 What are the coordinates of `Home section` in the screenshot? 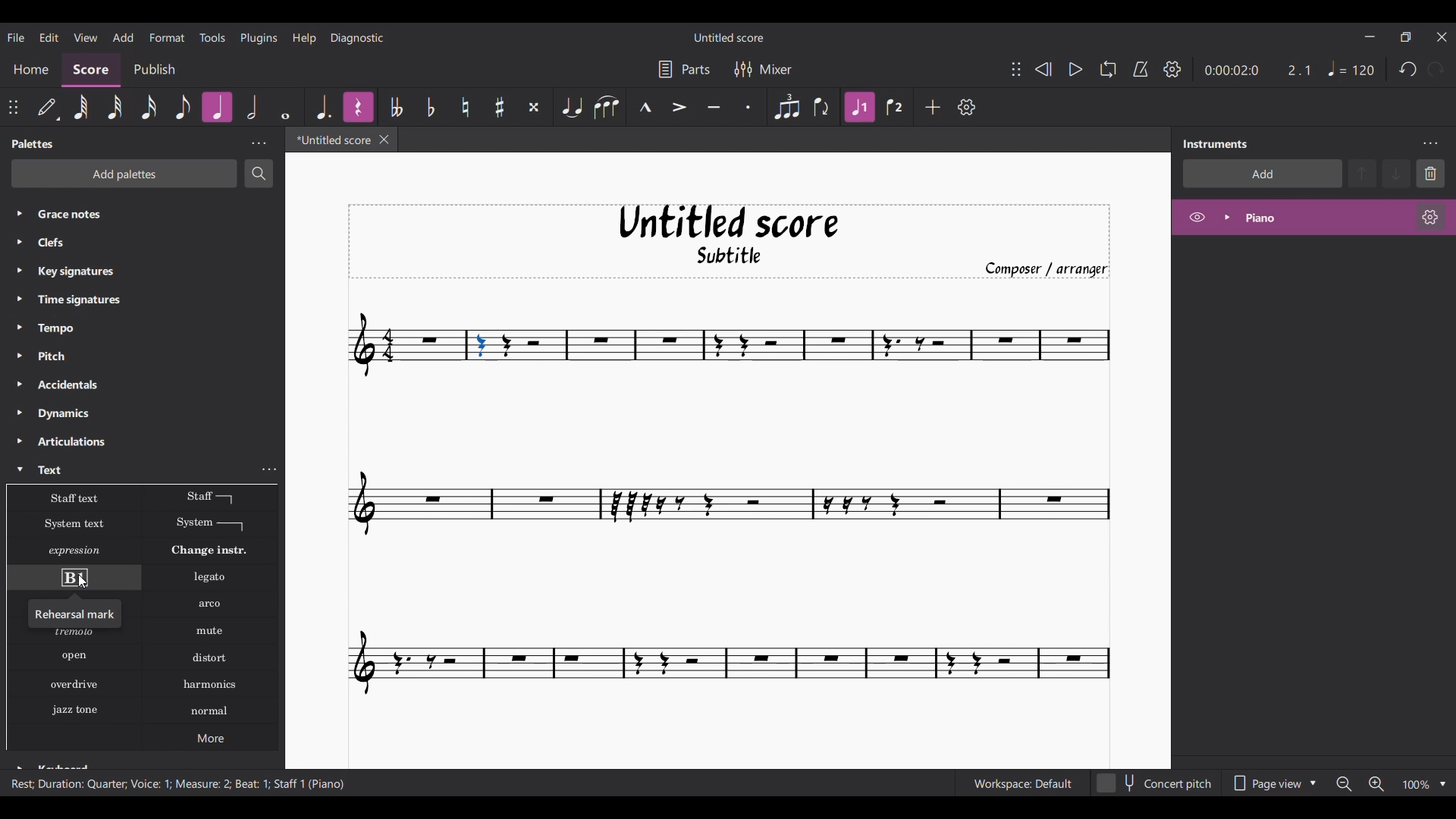 It's located at (31, 69).